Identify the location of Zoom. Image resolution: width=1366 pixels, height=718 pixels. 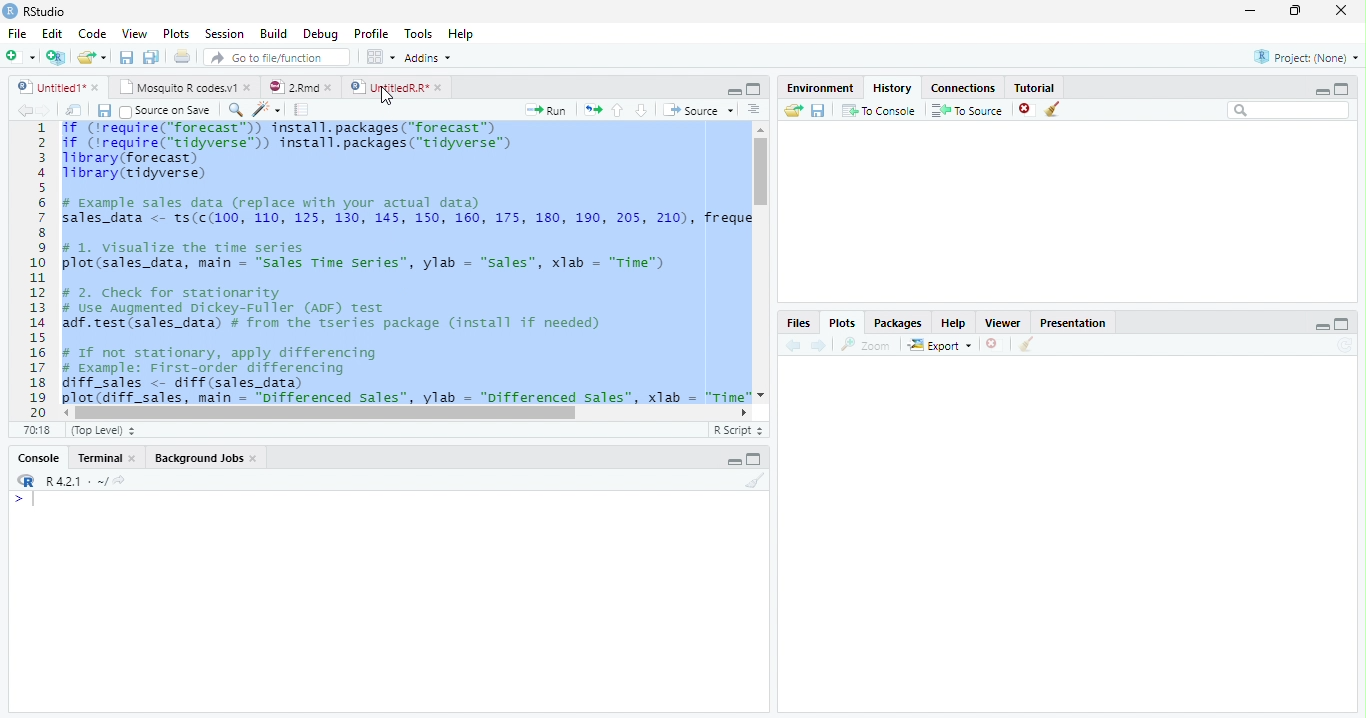
(864, 345).